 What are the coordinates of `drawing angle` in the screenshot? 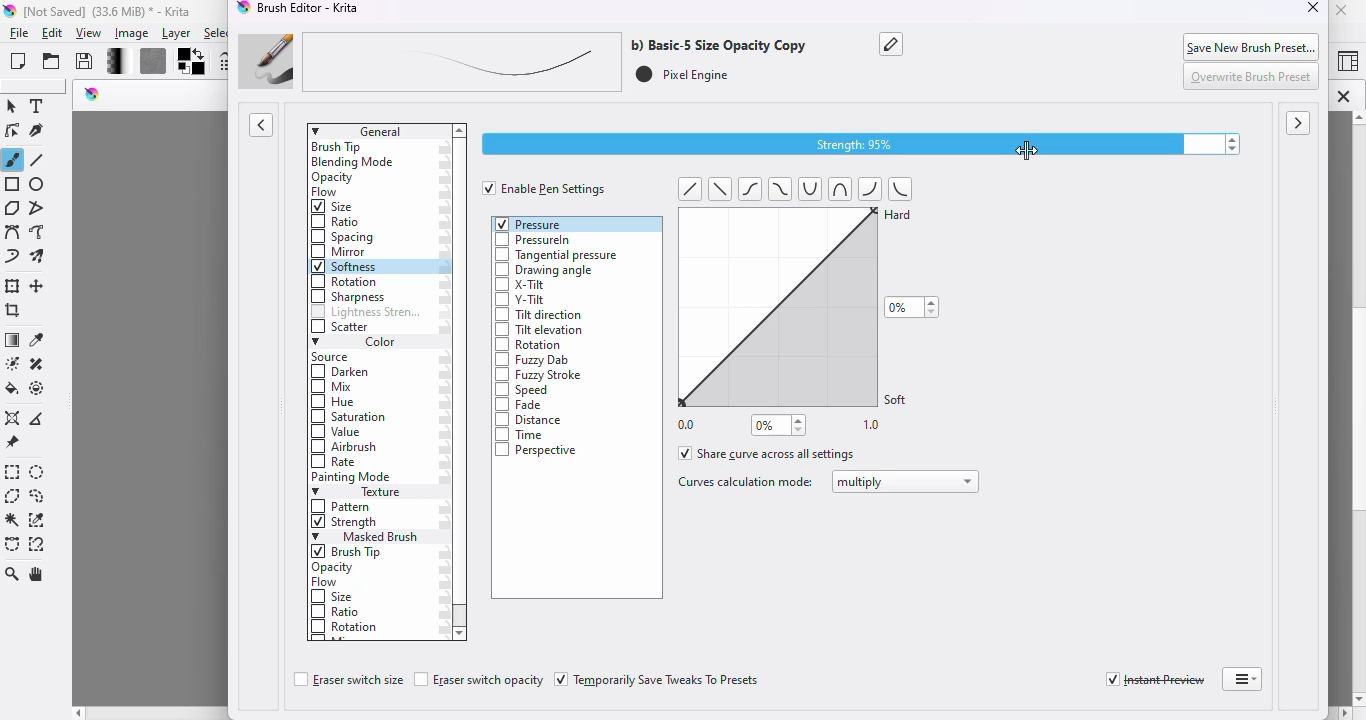 It's located at (543, 271).